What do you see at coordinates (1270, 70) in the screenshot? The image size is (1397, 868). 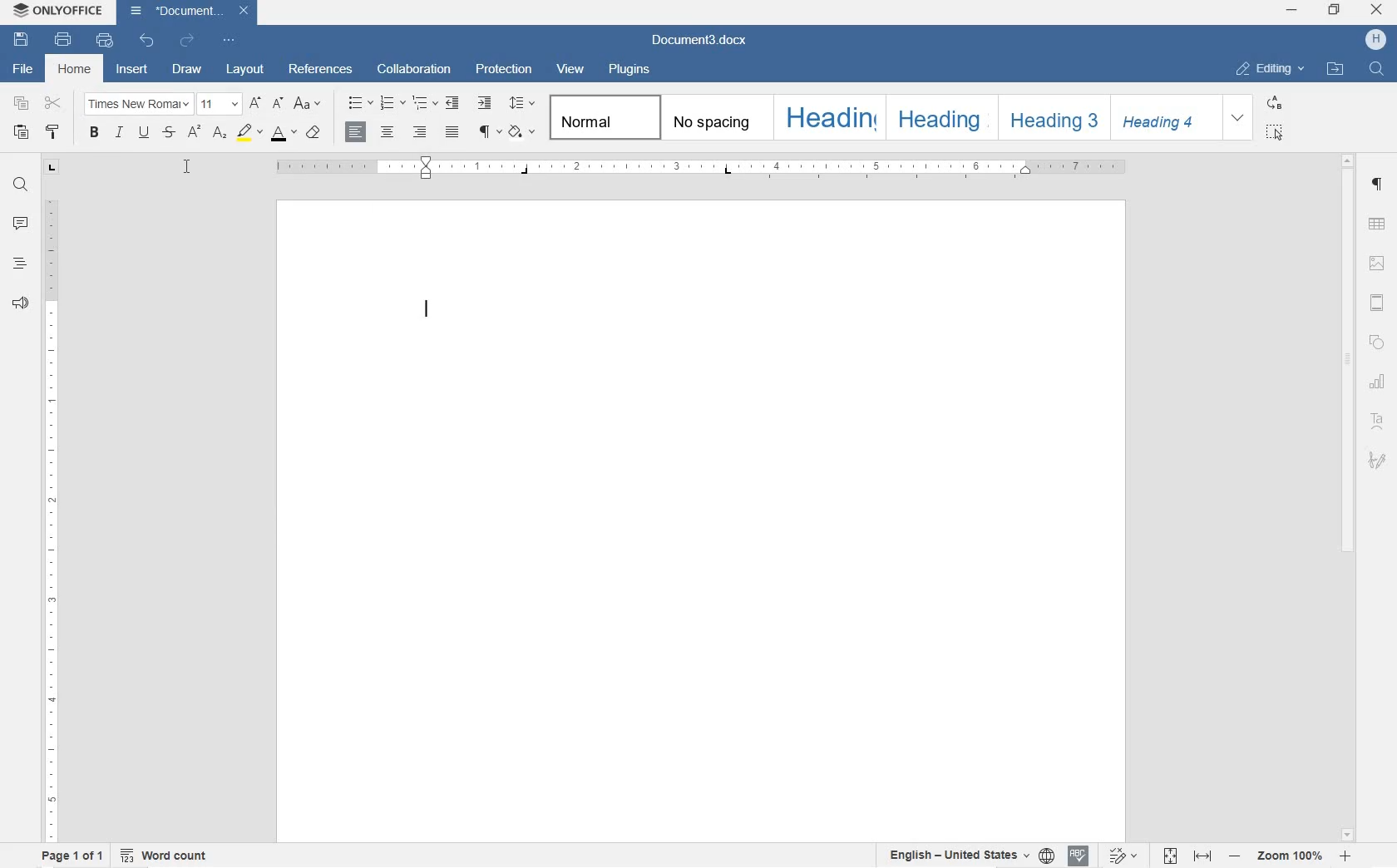 I see `EDITING` at bounding box center [1270, 70].